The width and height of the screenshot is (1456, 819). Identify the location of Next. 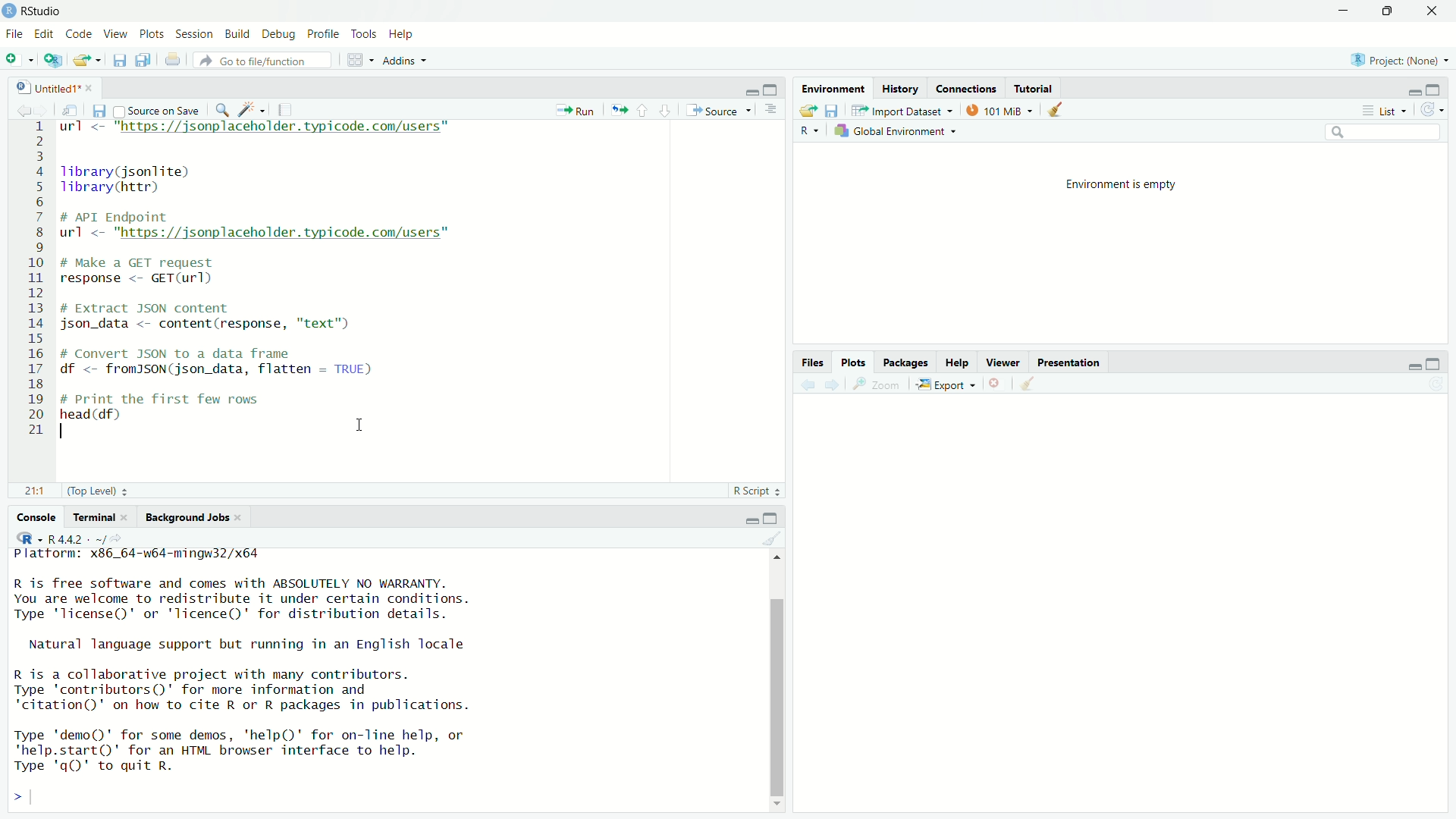
(834, 386).